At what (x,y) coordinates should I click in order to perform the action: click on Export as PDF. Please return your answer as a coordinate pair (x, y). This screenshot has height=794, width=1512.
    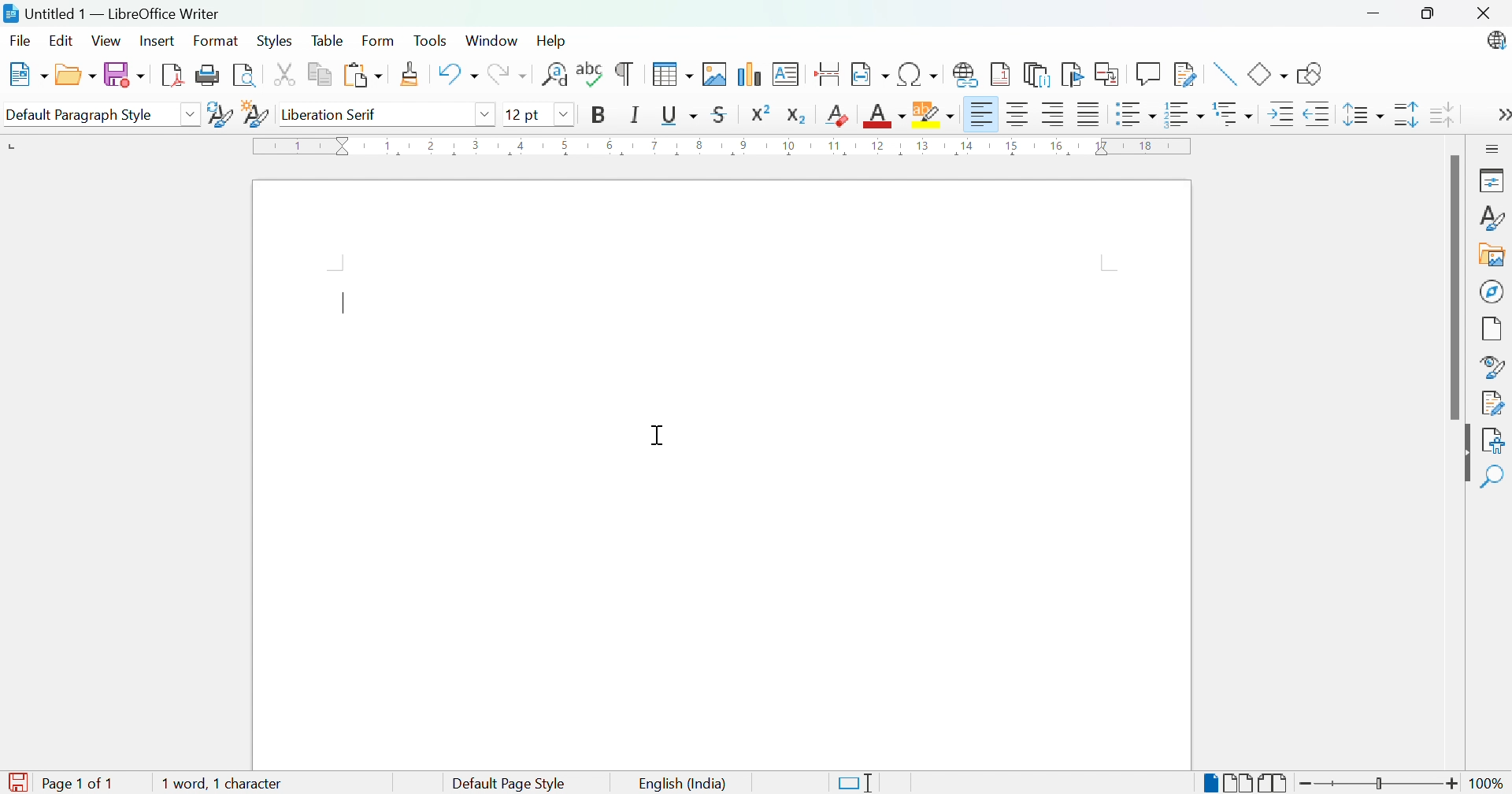
    Looking at the image, I should click on (172, 74).